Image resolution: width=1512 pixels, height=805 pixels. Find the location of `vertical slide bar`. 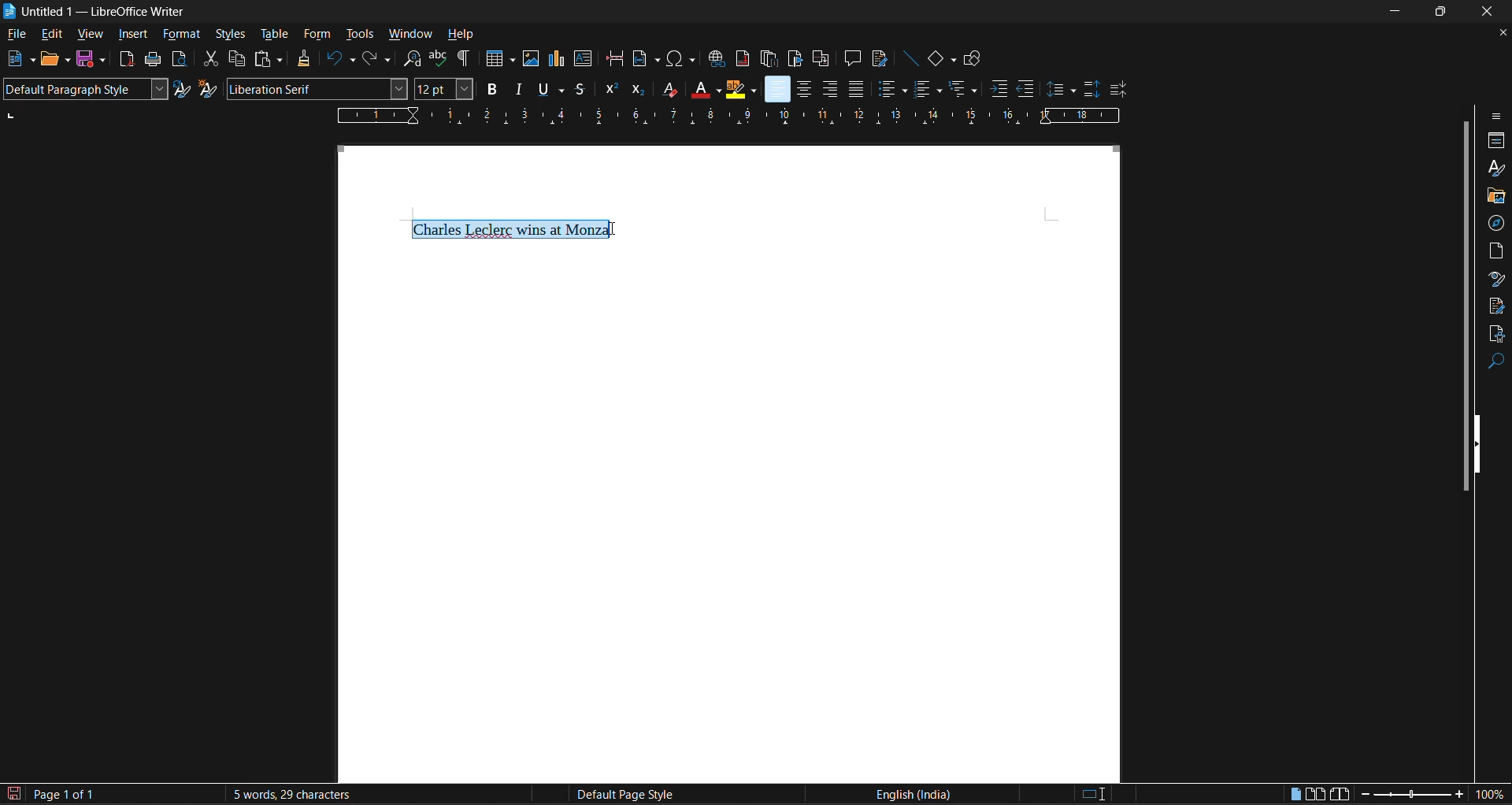

vertical slide bar is located at coordinates (1465, 303).